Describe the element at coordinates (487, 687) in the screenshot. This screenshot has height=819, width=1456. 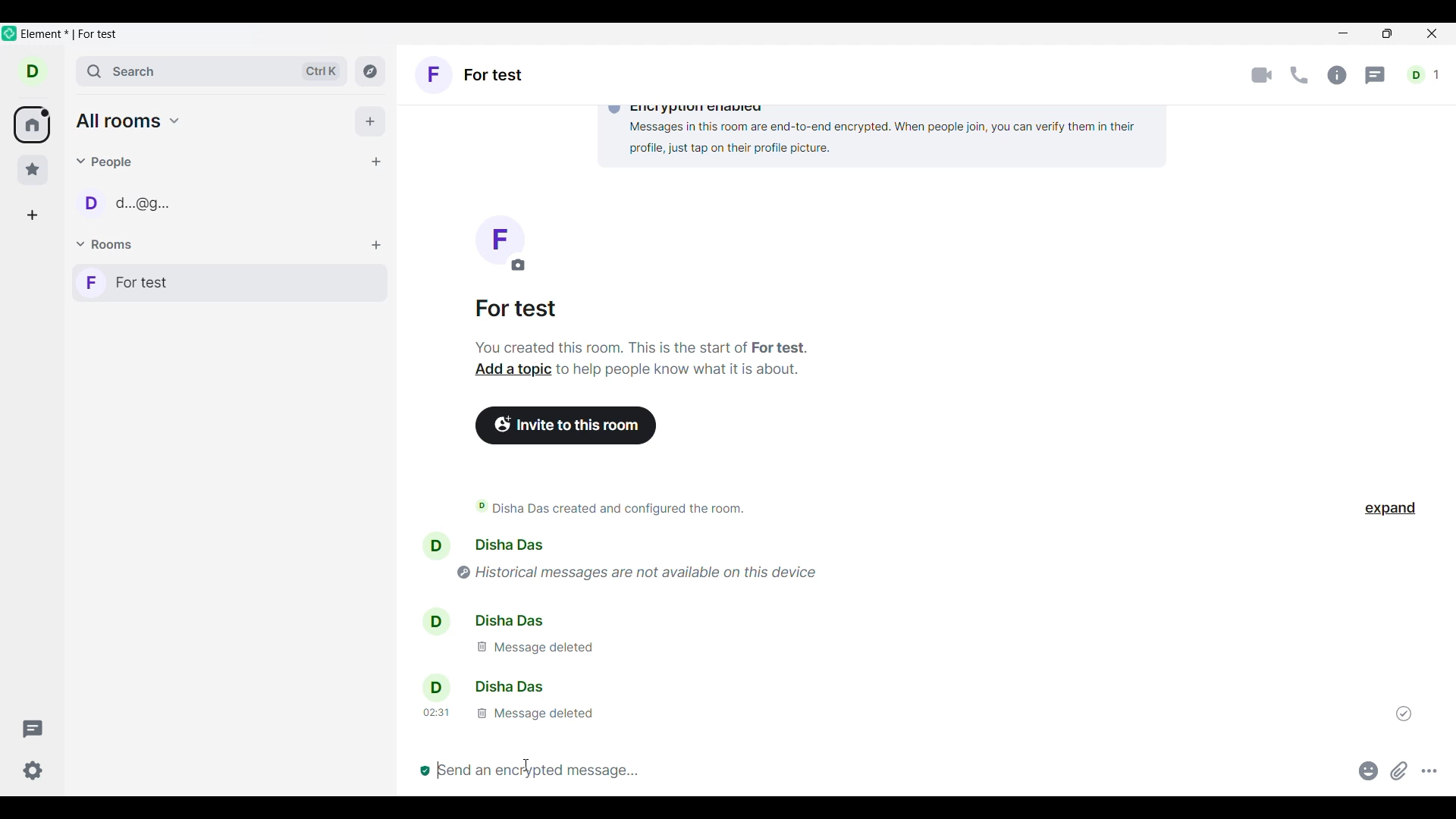
I see `disha das` at that location.